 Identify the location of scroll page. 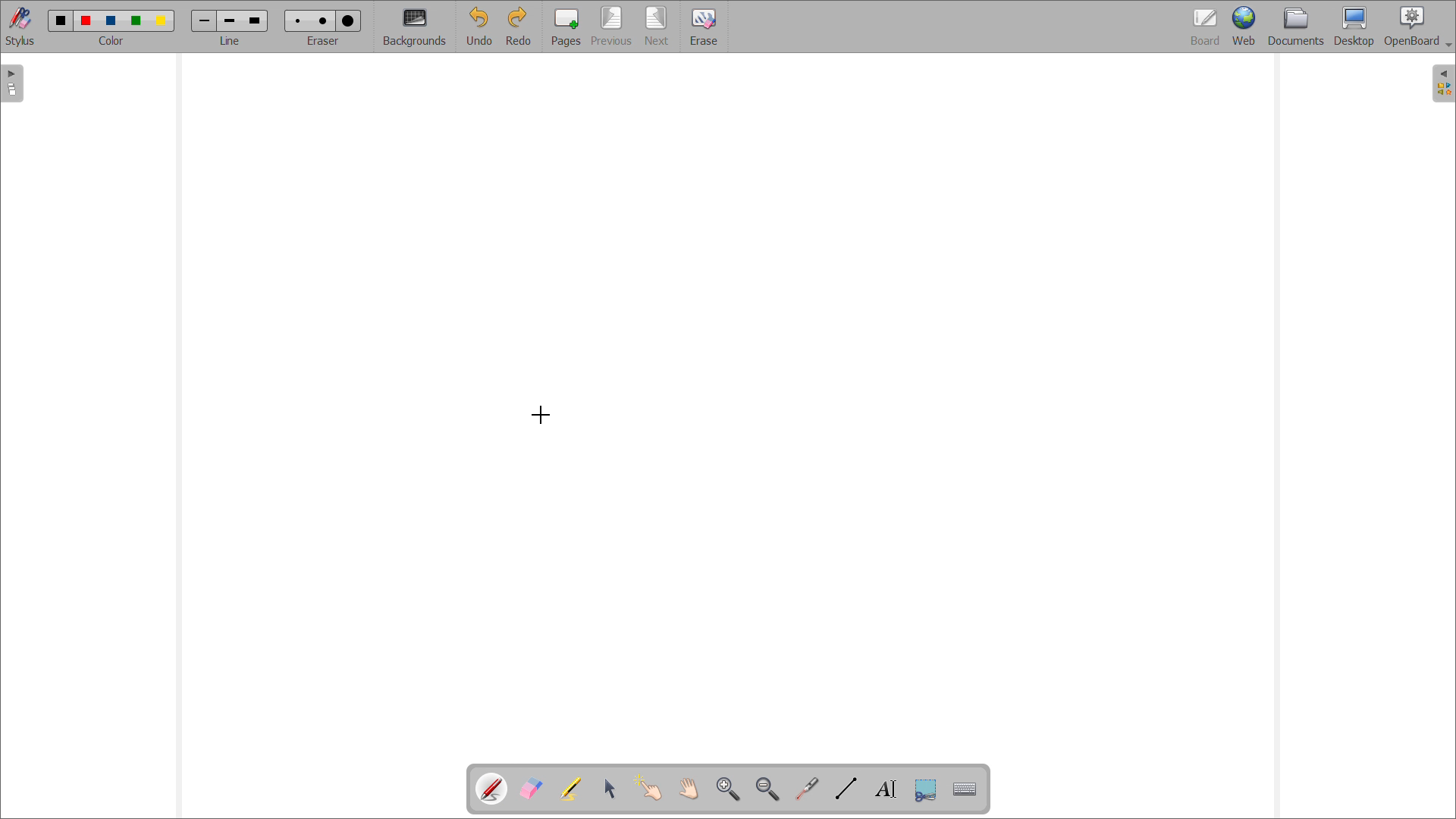
(689, 788).